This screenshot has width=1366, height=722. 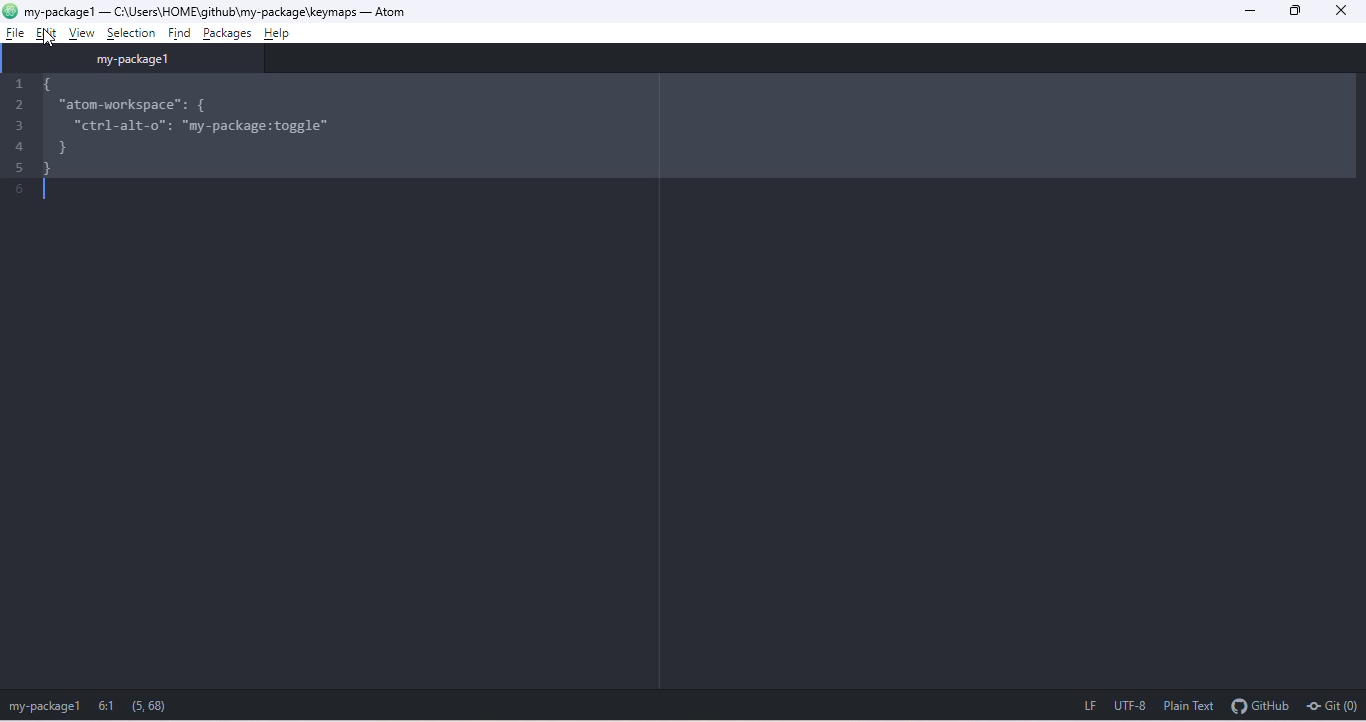 What do you see at coordinates (1191, 707) in the screenshot?
I see `plain text` at bounding box center [1191, 707].